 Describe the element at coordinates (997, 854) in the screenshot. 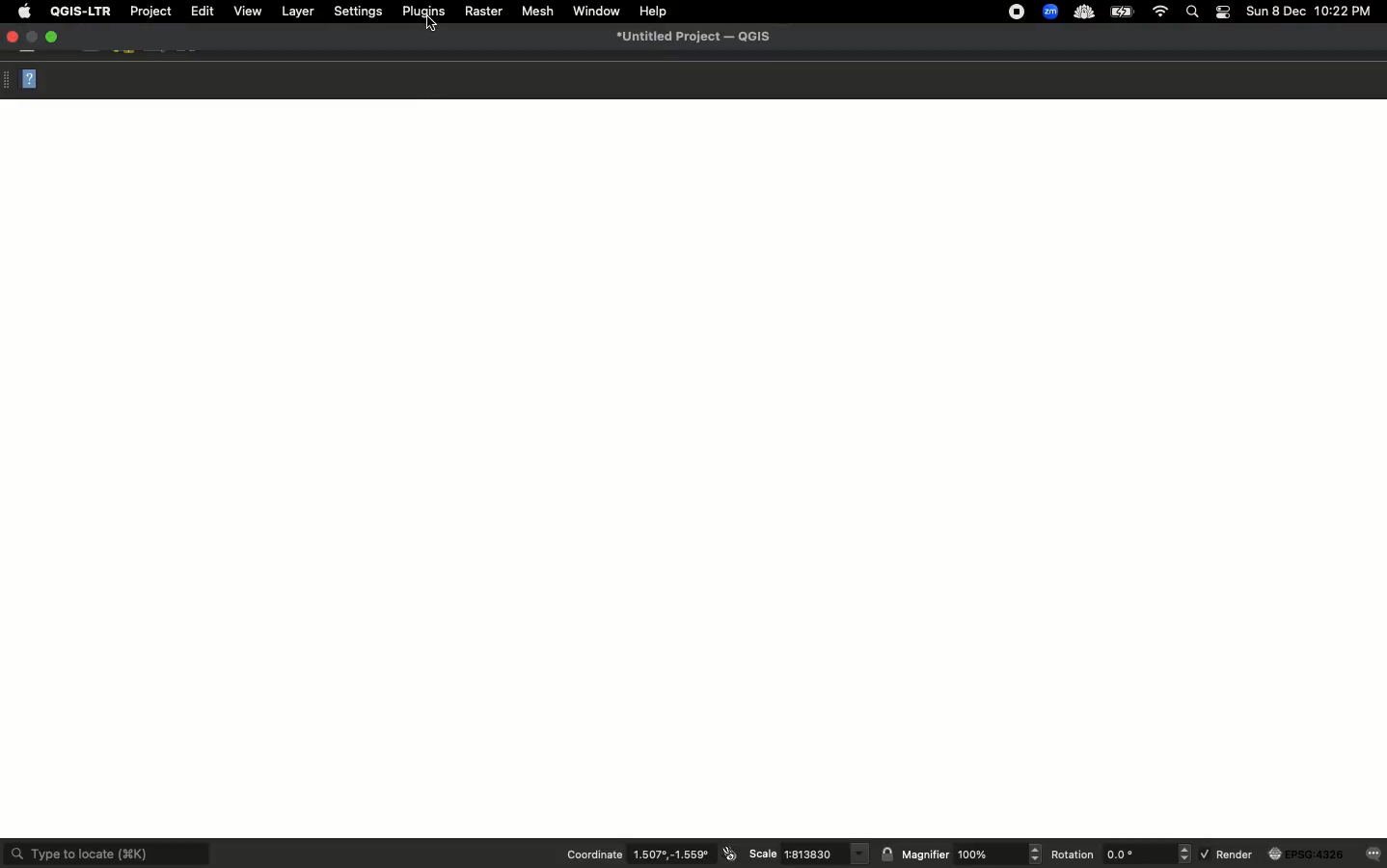

I see `Magnifier` at that location.